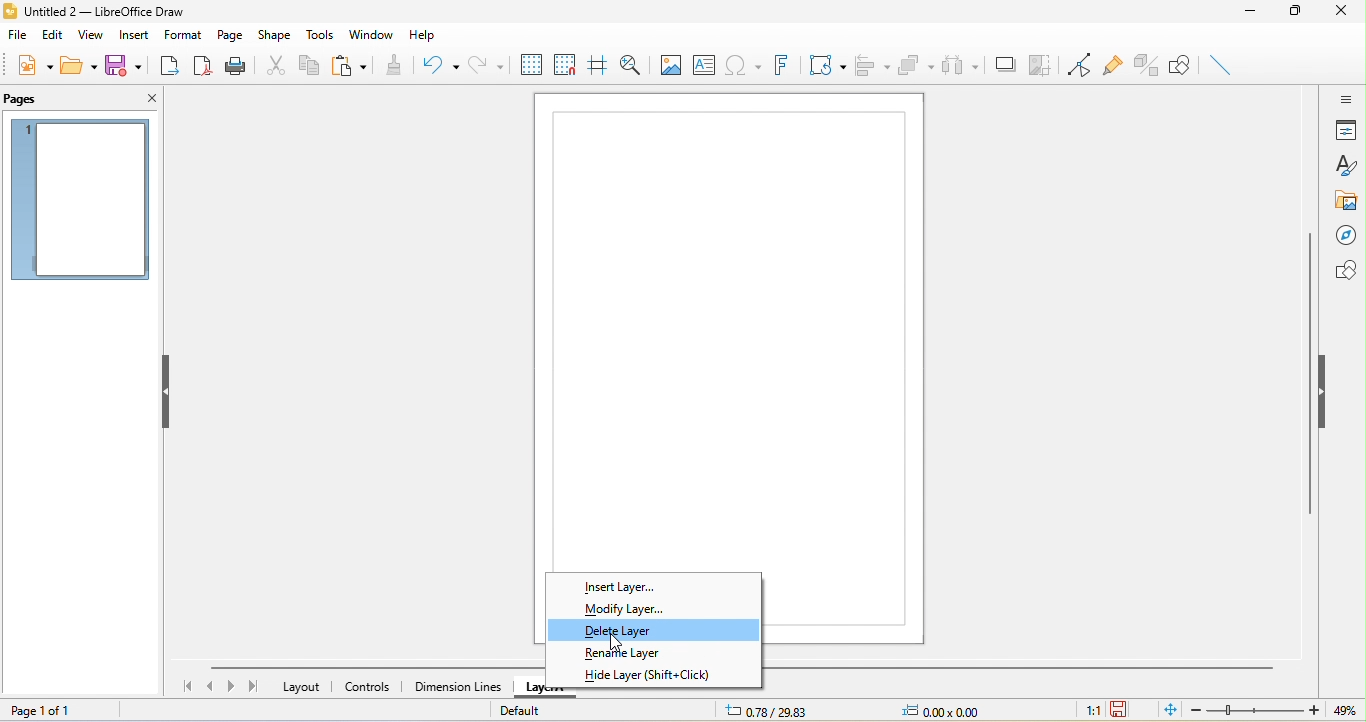 The height and width of the screenshot is (722, 1366). Describe the element at coordinates (277, 66) in the screenshot. I see `cut` at that location.